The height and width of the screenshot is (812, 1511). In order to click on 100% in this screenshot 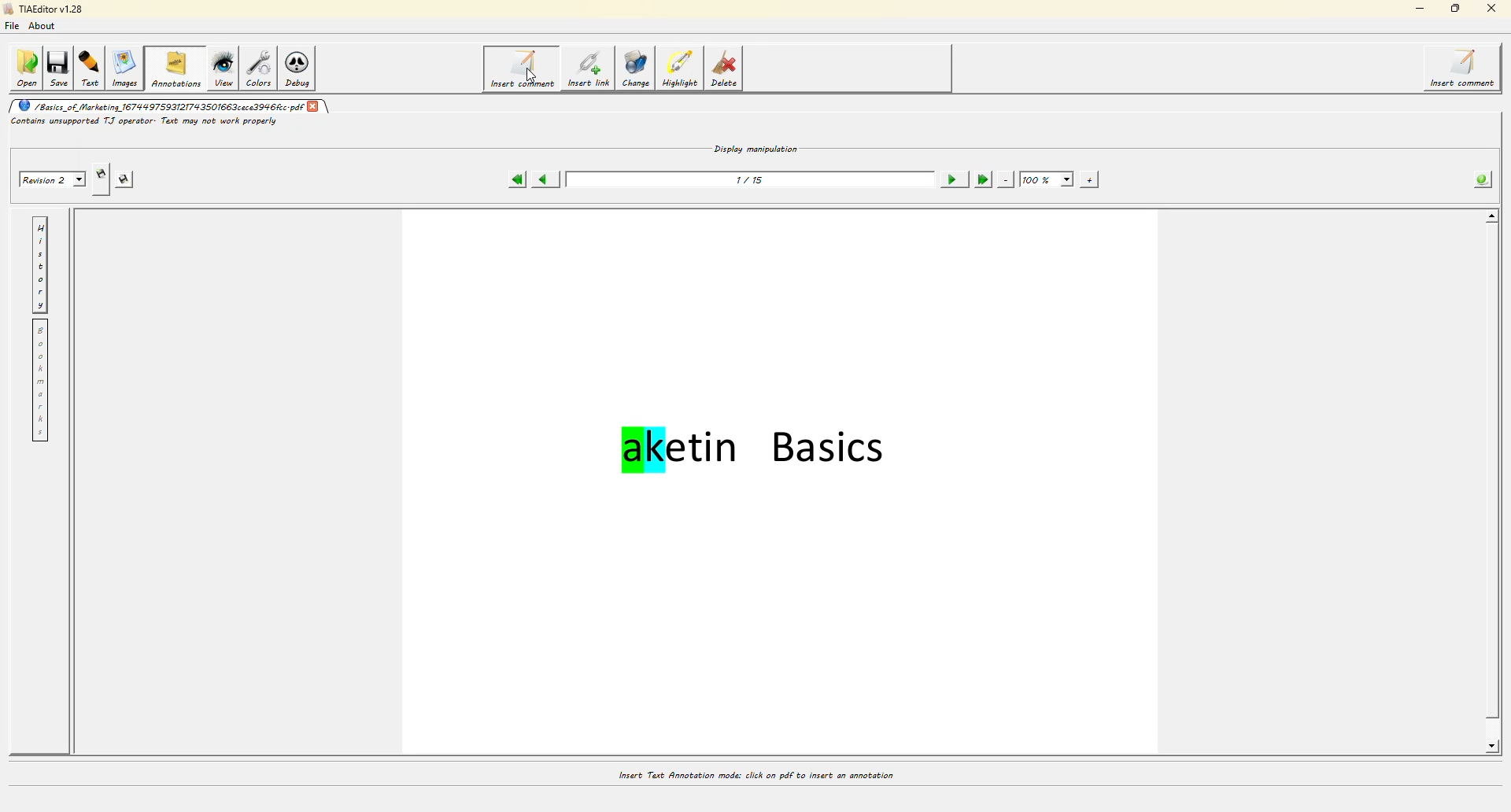, I will do `click(1047, 180)`.